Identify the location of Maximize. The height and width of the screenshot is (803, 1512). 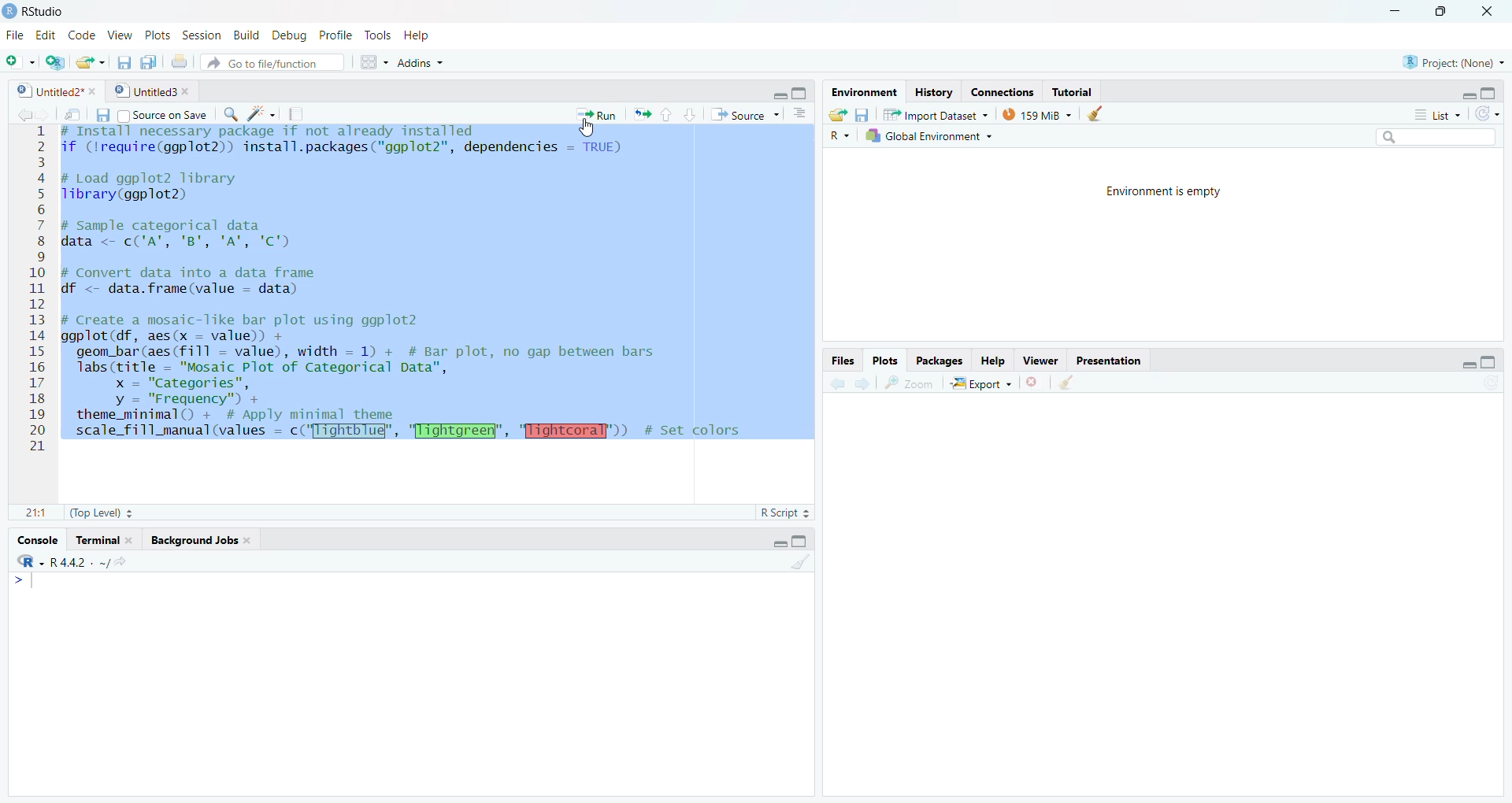
(800, 92).